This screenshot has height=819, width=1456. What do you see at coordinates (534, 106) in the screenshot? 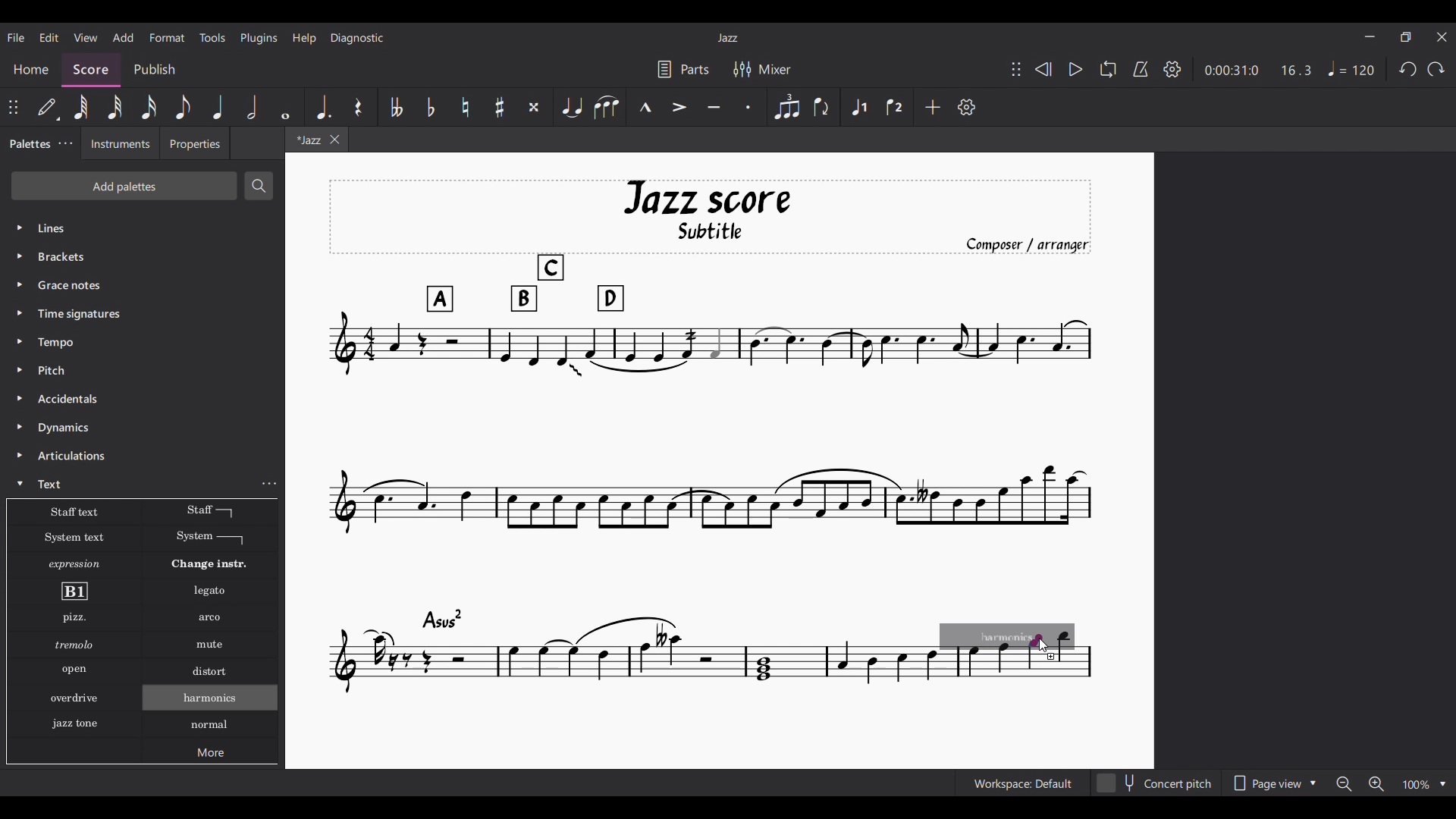
I see `Toggle double sharp` at bounding box center [534, 106].